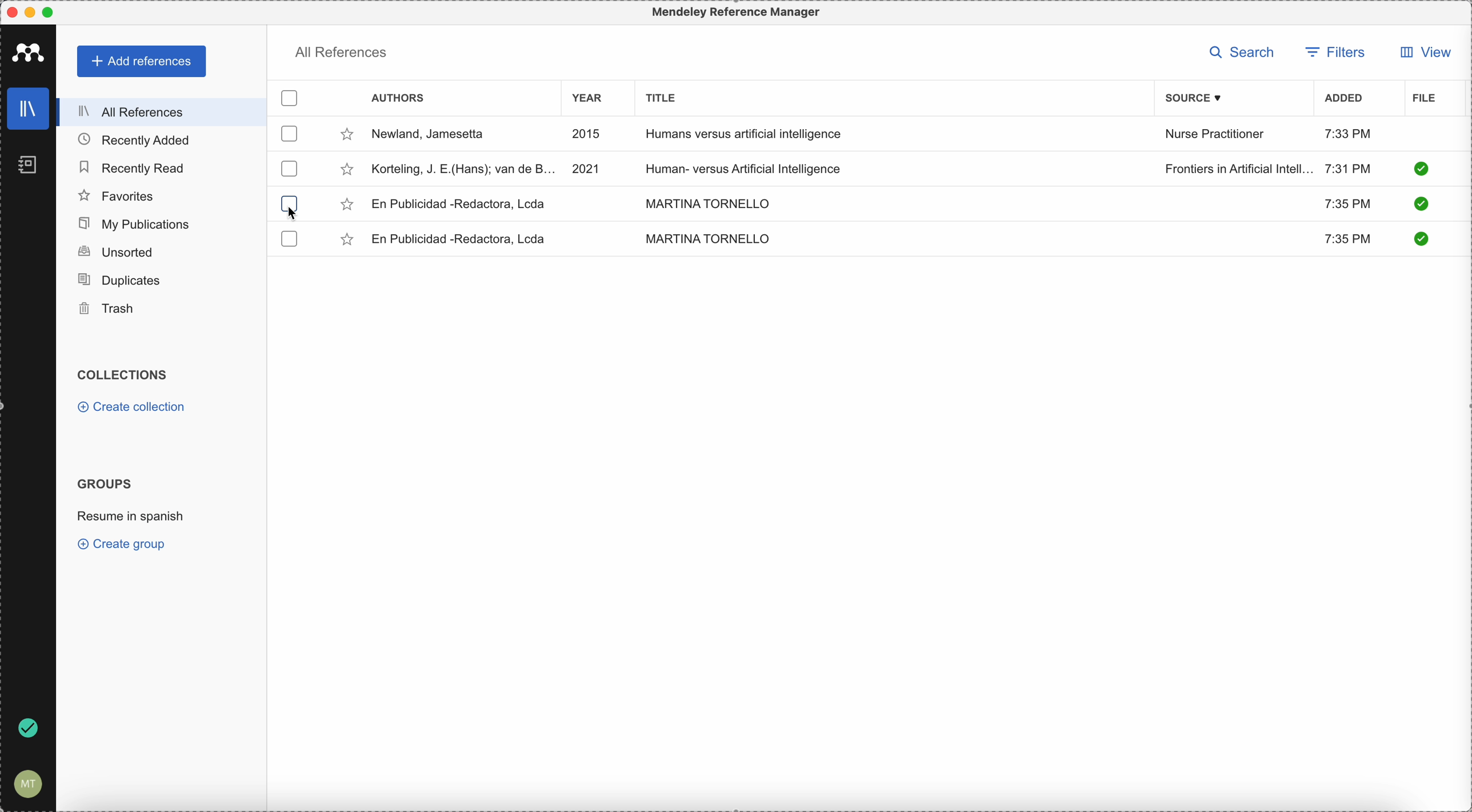  Describe the element at coordinates (658, 97) in the screenshot. I see `title` at that location.